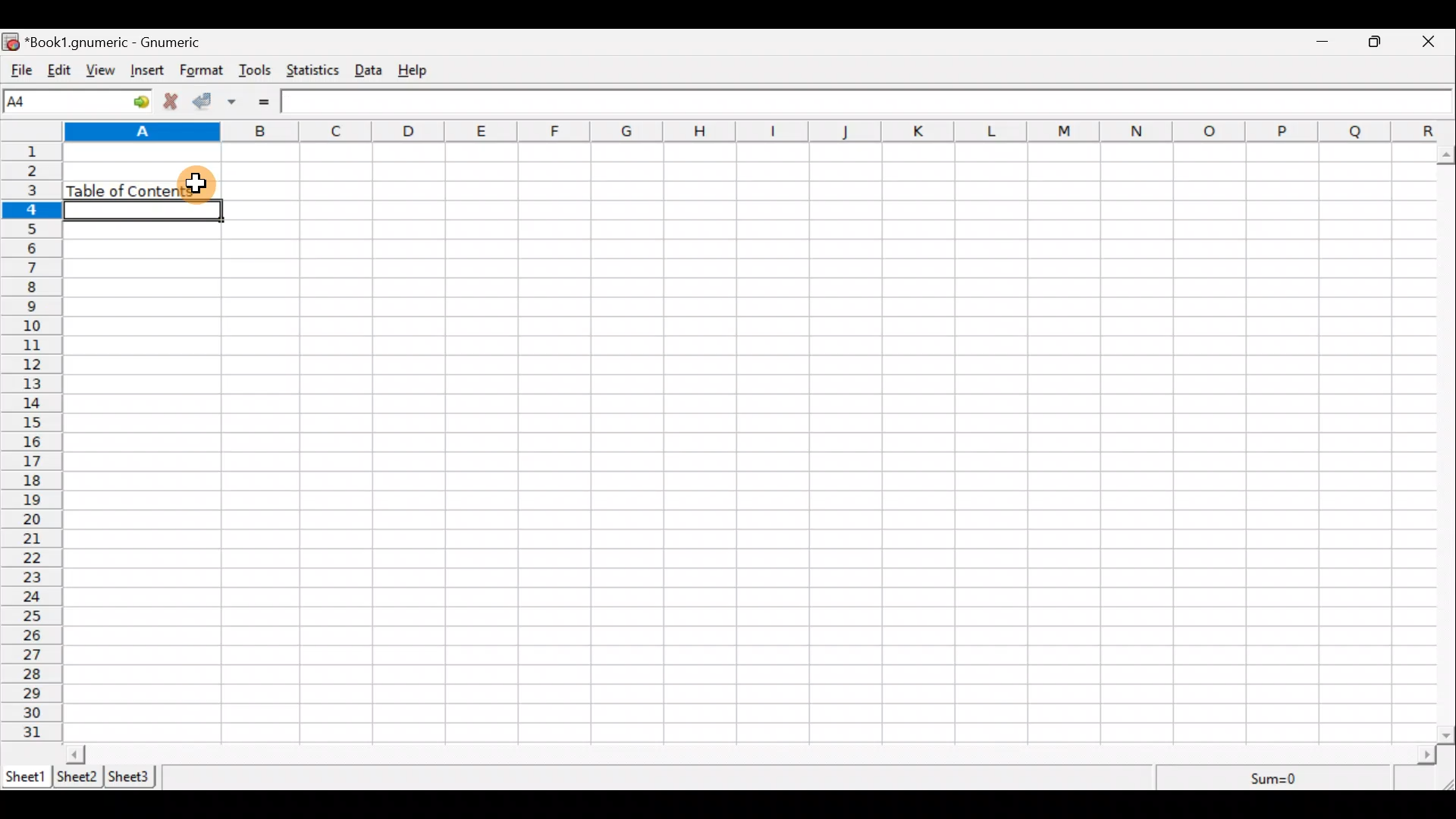 The height and width of the screenshot is (819, 1456). What do you see at coordinates (865, 100) in the screenshot?
I see `Formula bar` at bounding box center [865, 100].